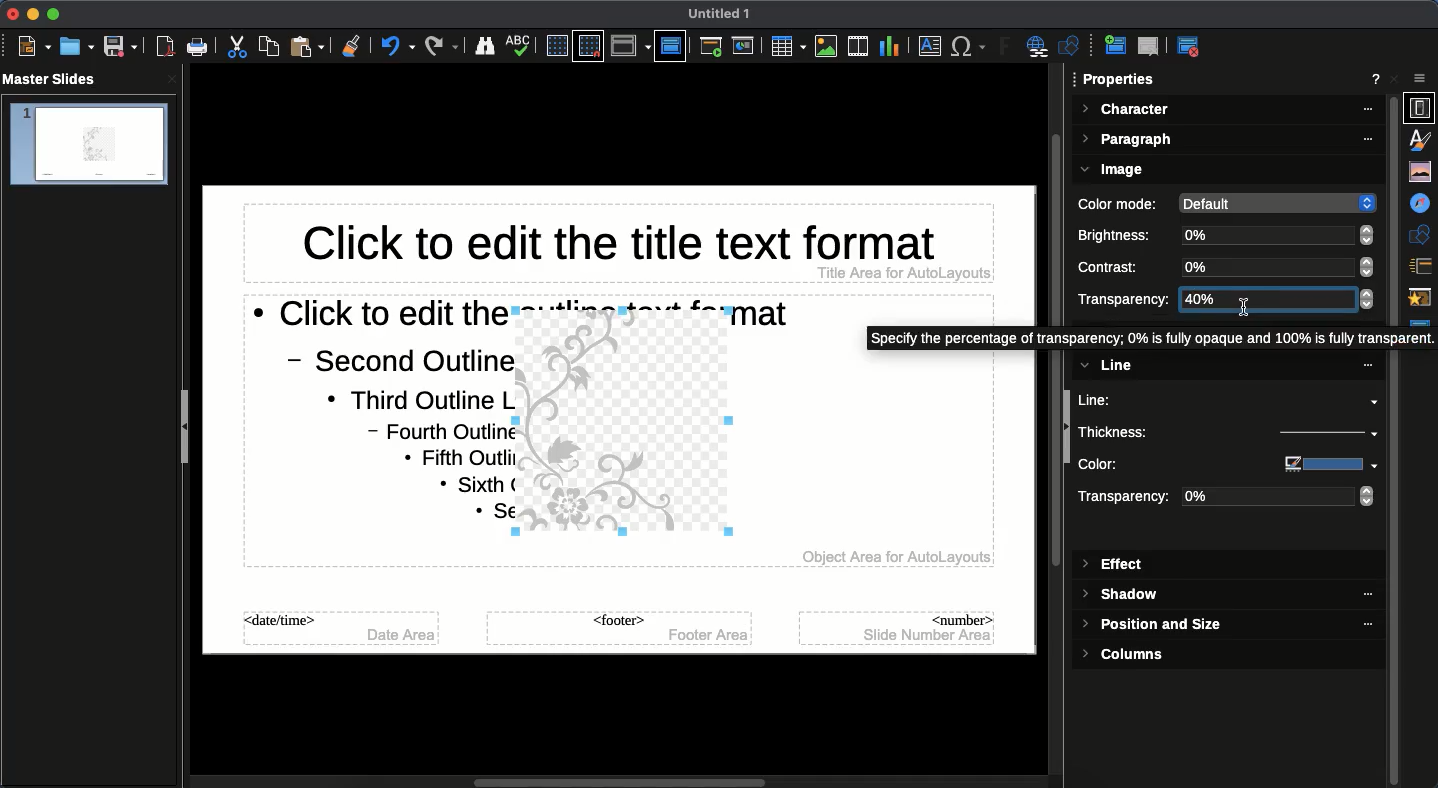 This screenshot has width=1438, height=788. What do you see at coordinates (588, 47) in the screenshot?
I see `Snap grid` at bounding box center [588, 47].